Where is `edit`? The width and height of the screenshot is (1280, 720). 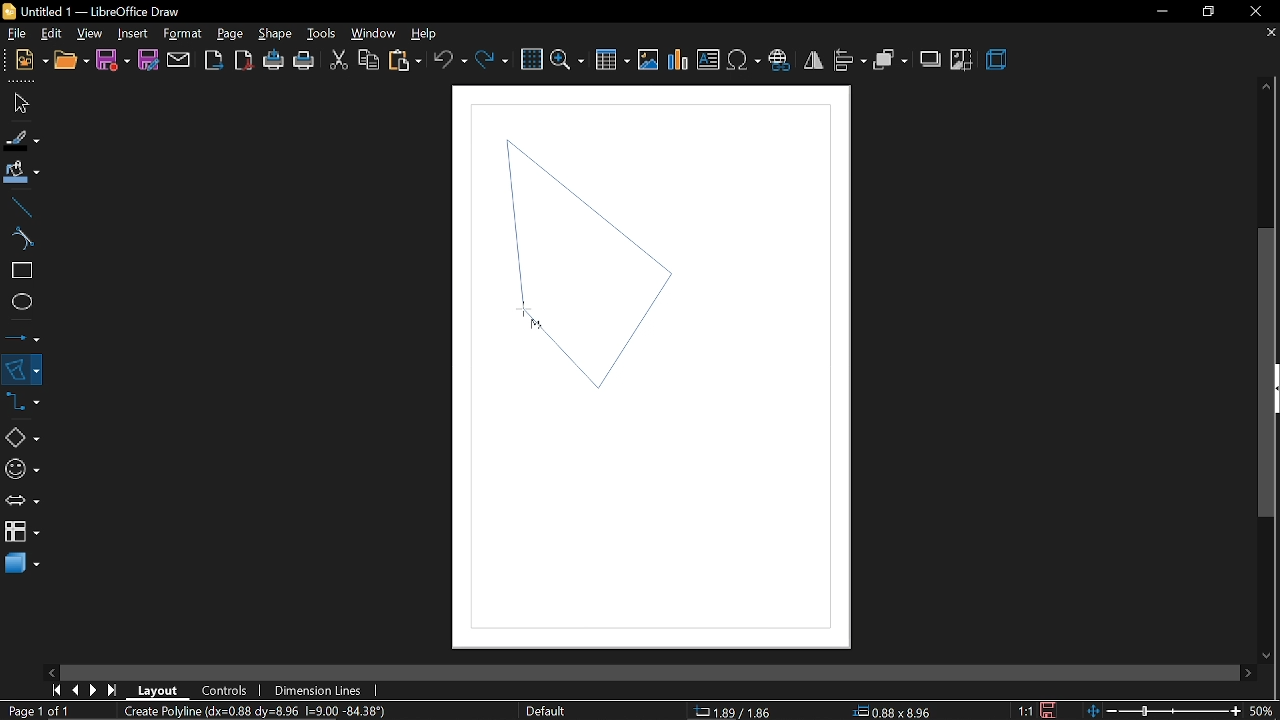
edit is located at coordinates (54, 33).